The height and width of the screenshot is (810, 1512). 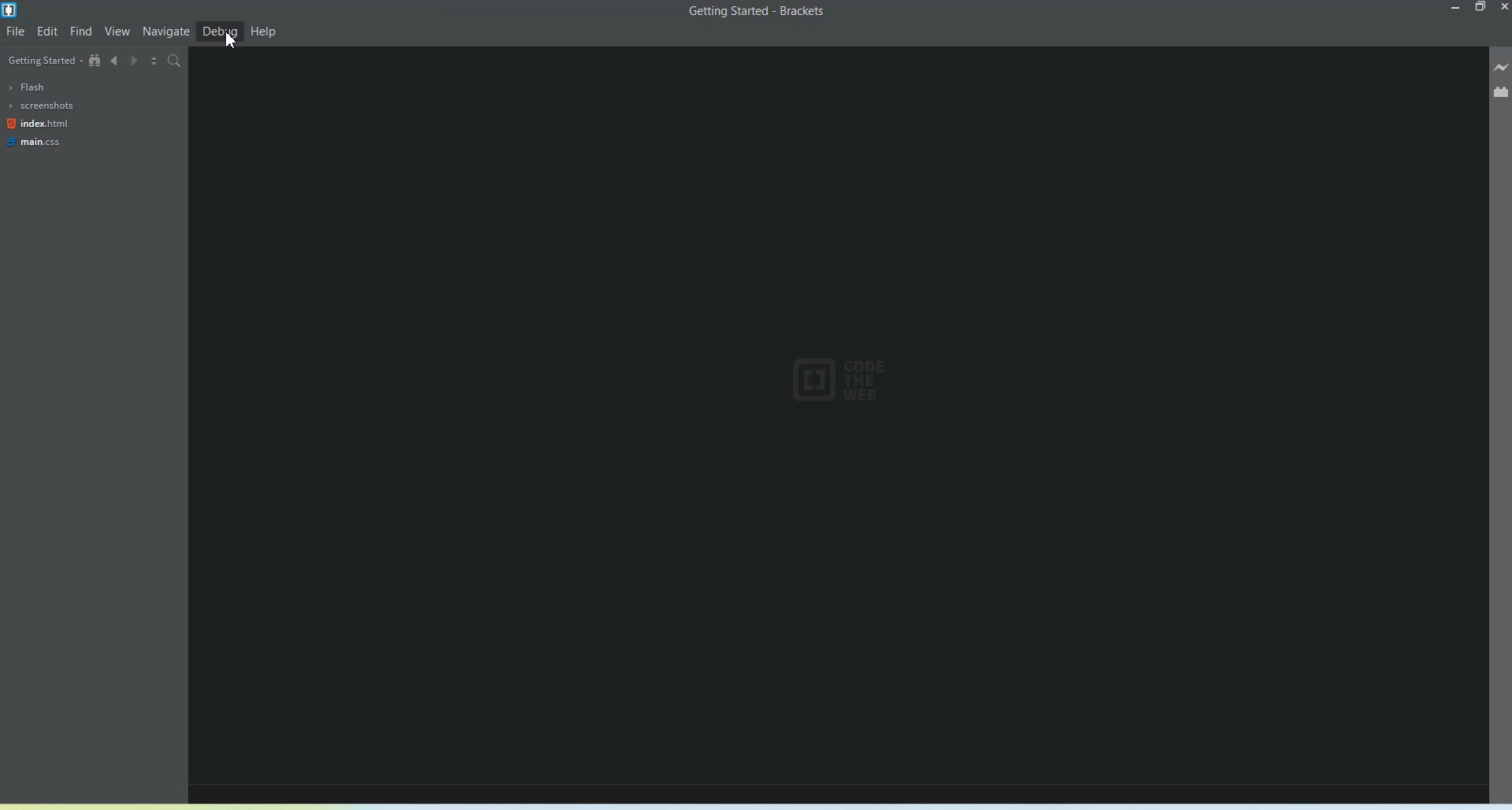 What do you see at coordinates (117, 61) in the screenshot?
I see `Navigate Backwards` at bounding box center [117, 61].